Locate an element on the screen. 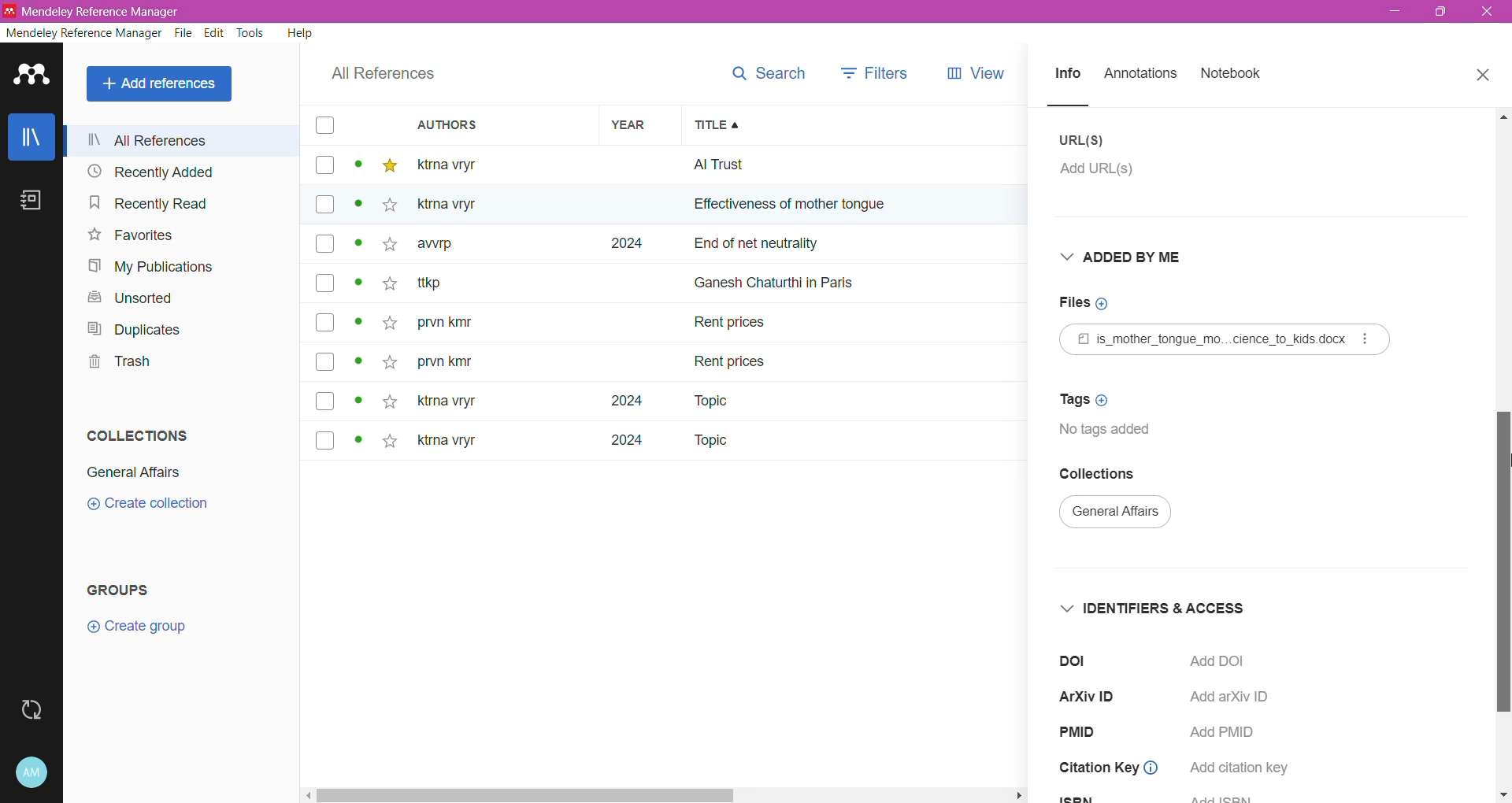 The width and height of the screenshot is (1512, 803). Title is located at coordinates (863, 125).